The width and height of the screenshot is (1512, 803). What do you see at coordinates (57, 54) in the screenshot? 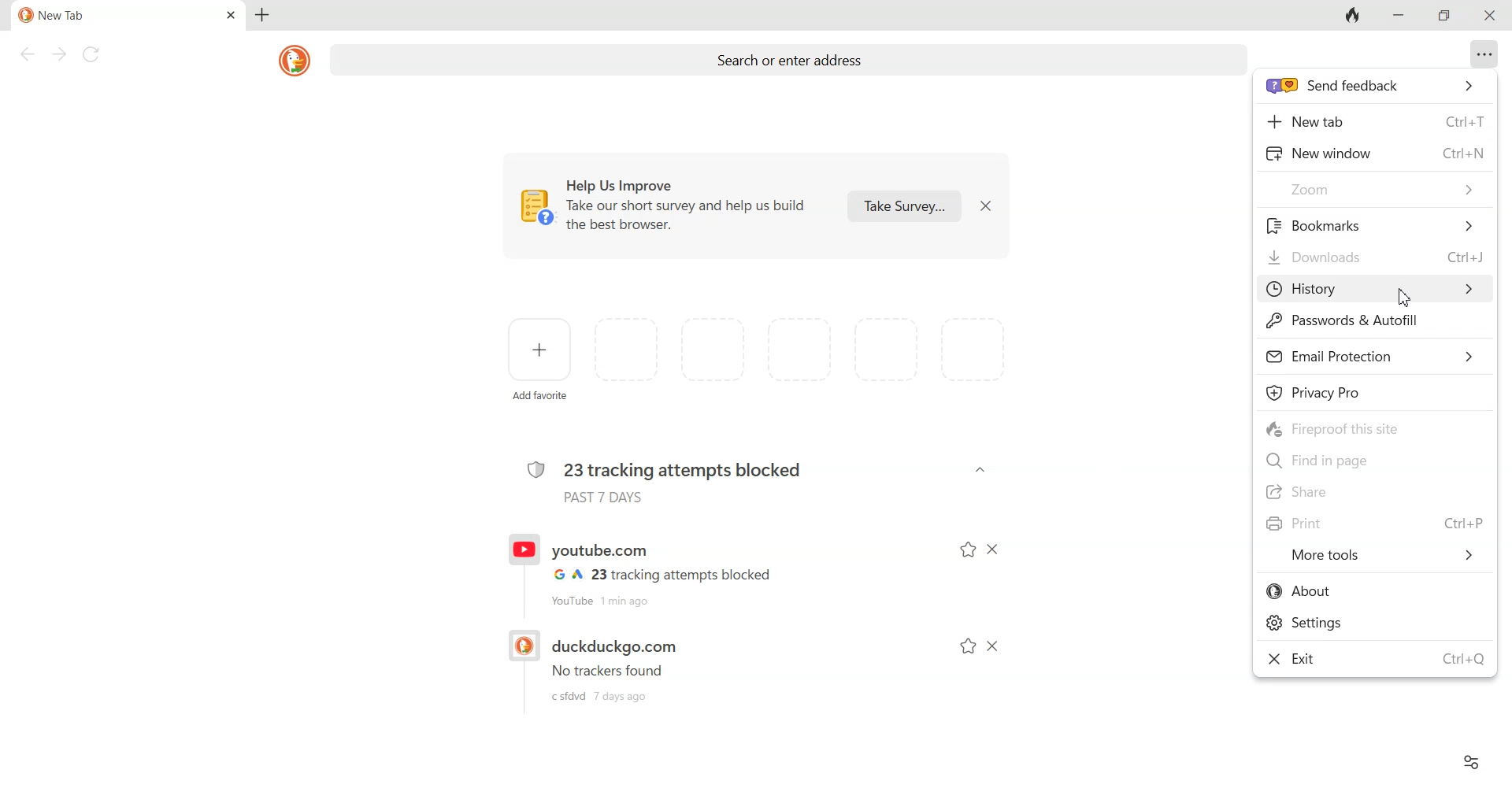
I see `Forward` at bounding box center [57, 54].